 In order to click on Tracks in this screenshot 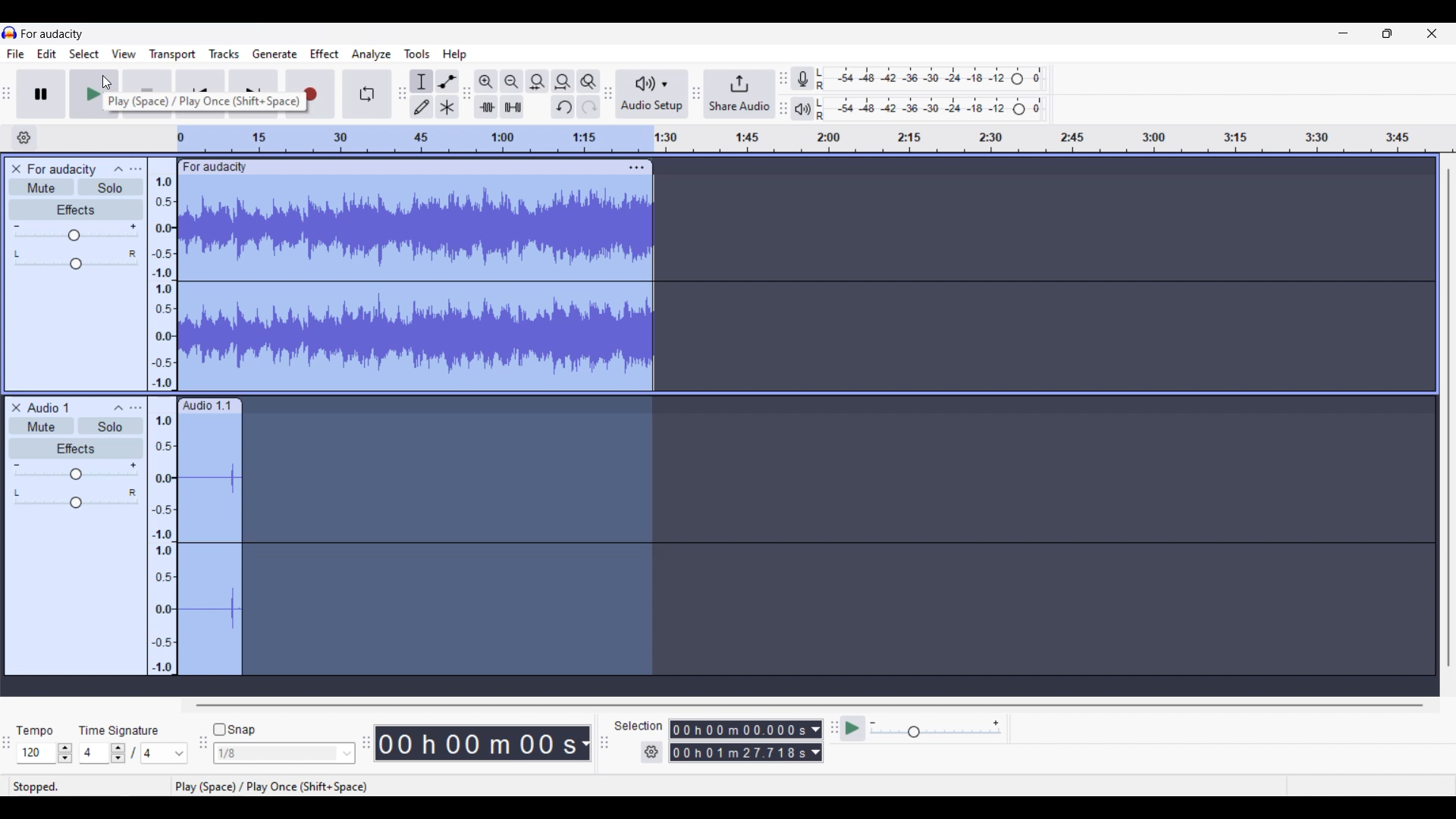, I will do `click(224, 53)`.